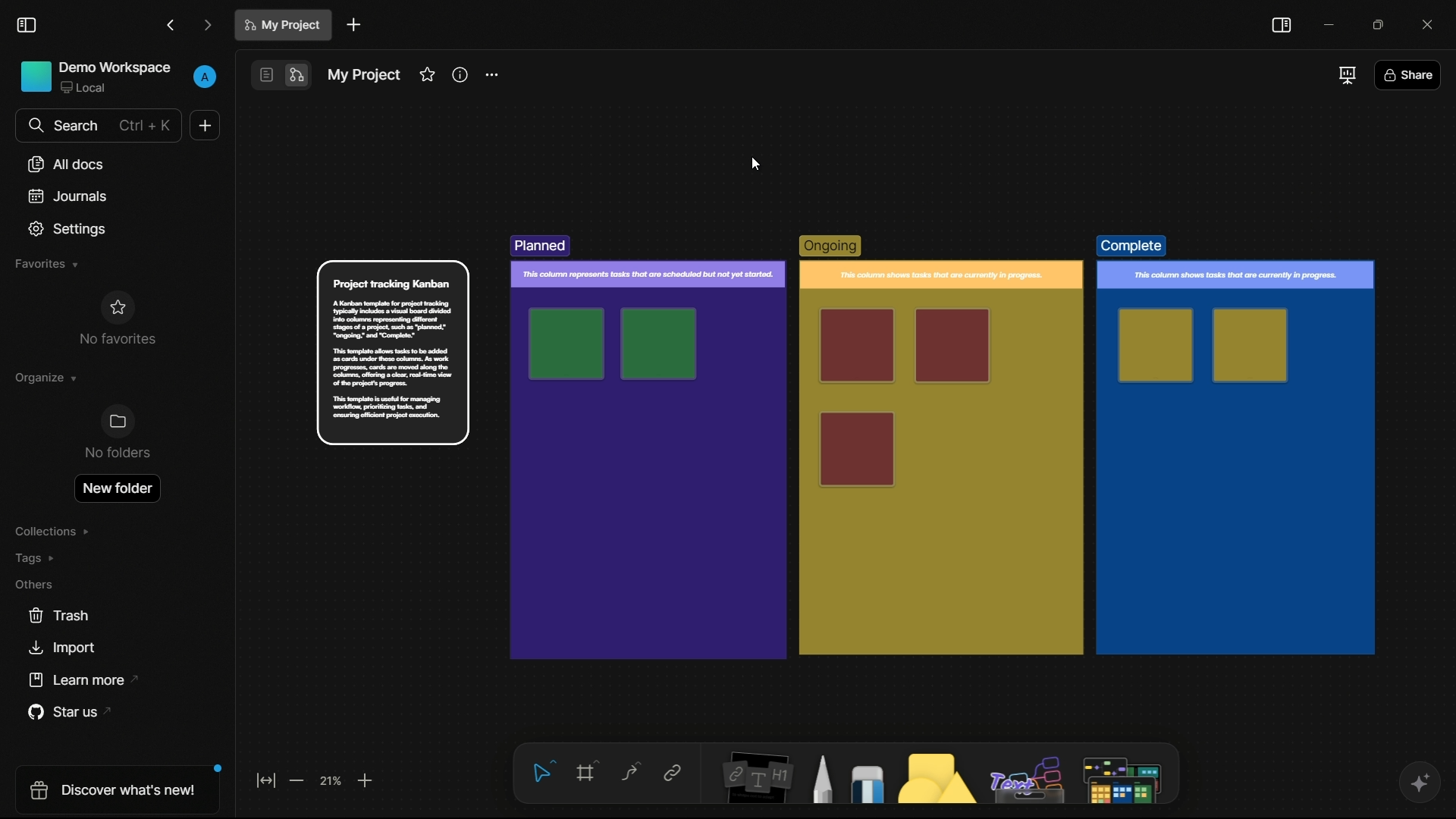  What do you see at coordinates (295, 76) in the screenshot?
I see `edgeless mode` at bounding box center [295, 76].